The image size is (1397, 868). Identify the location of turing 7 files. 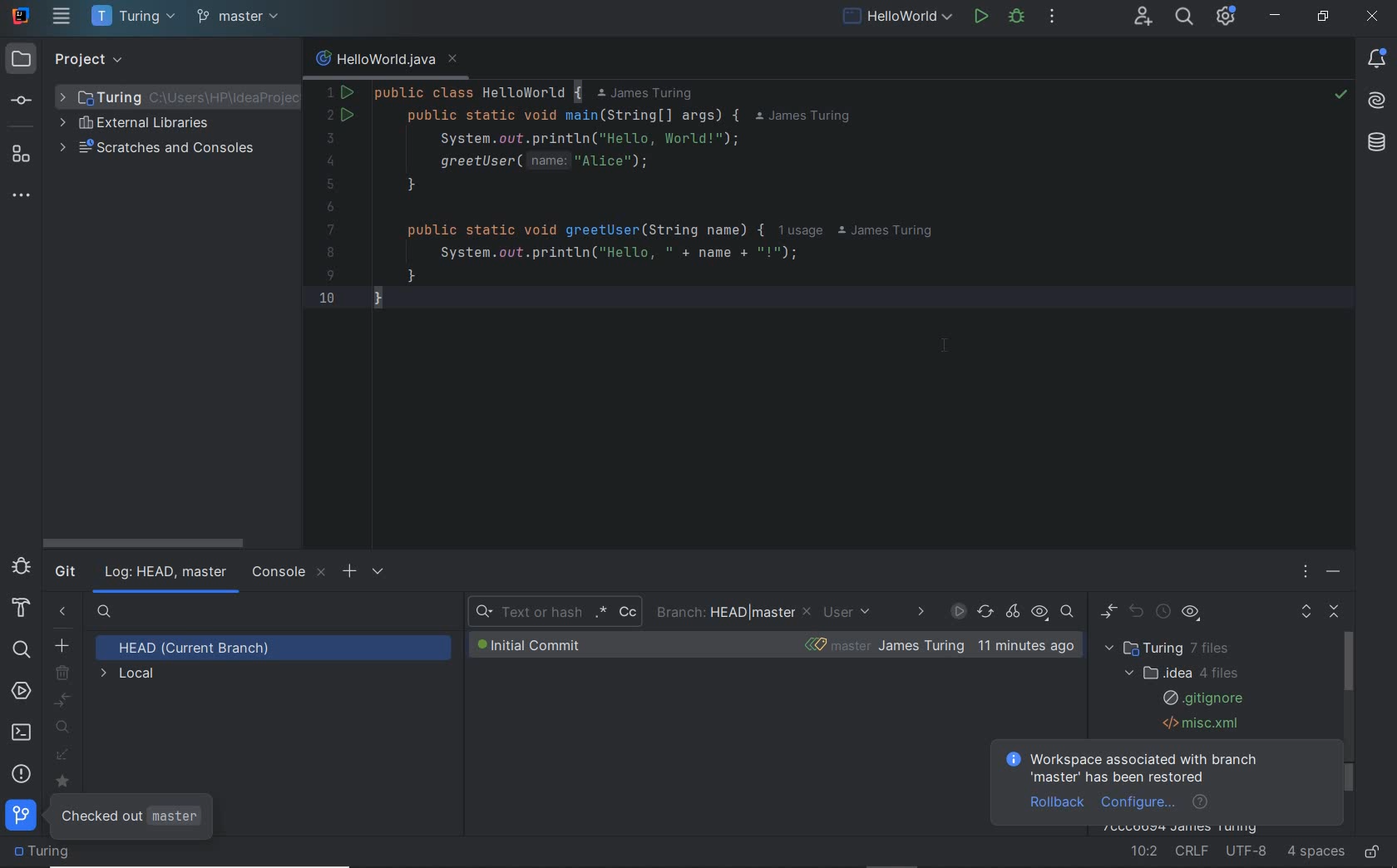
(1172, 649).